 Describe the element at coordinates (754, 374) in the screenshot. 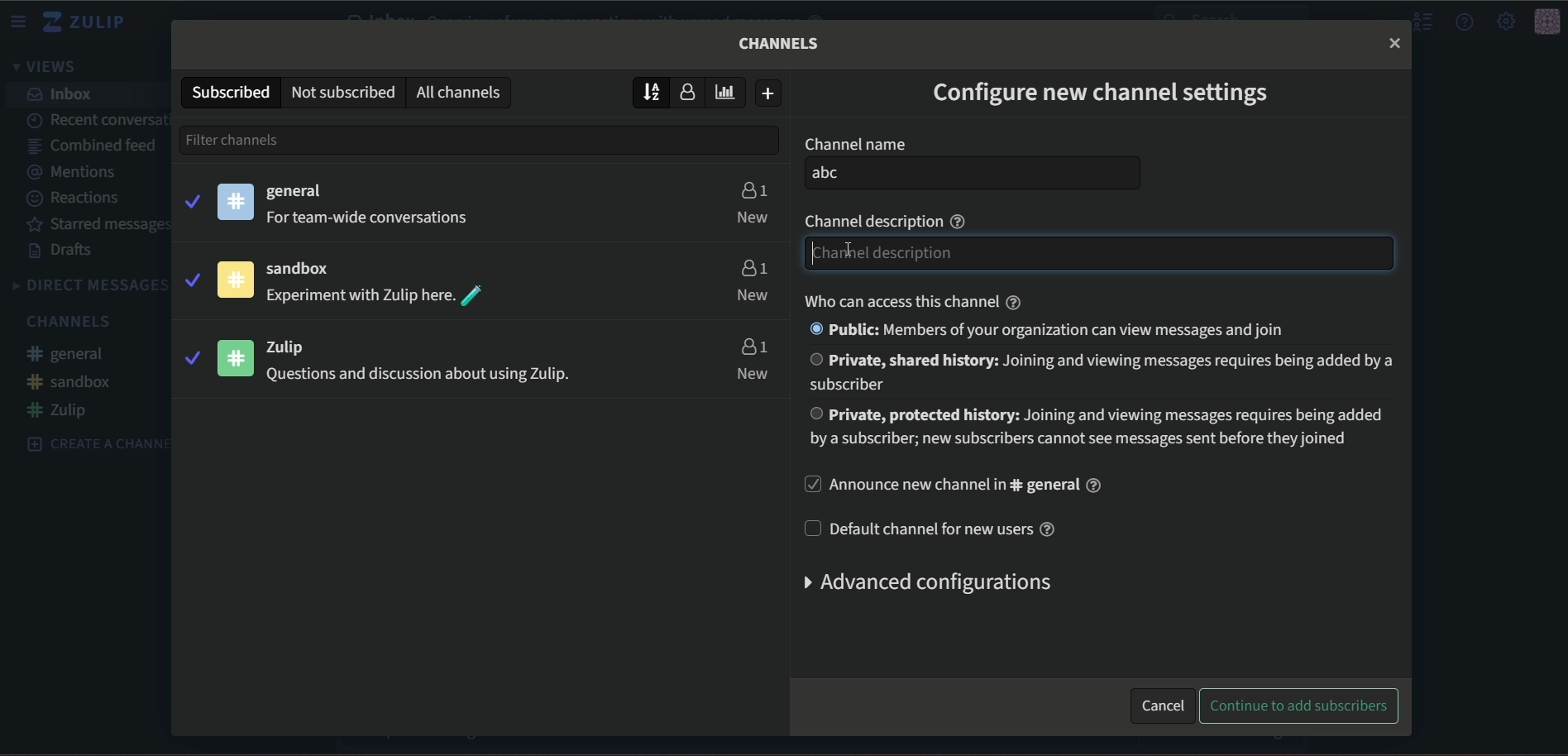

I see `new` at that location.